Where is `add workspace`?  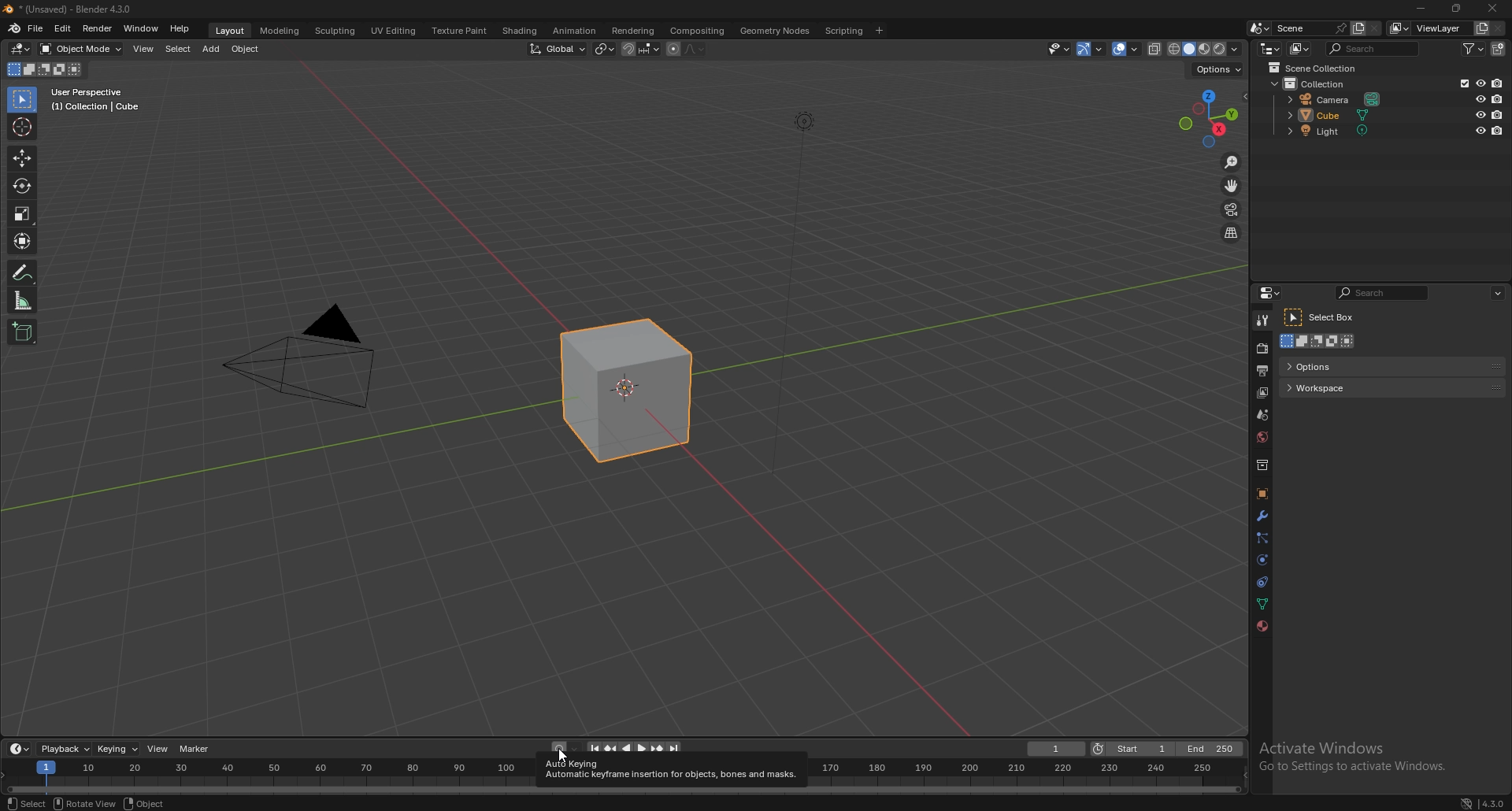
add workspace is located at coordinates (880, 30).